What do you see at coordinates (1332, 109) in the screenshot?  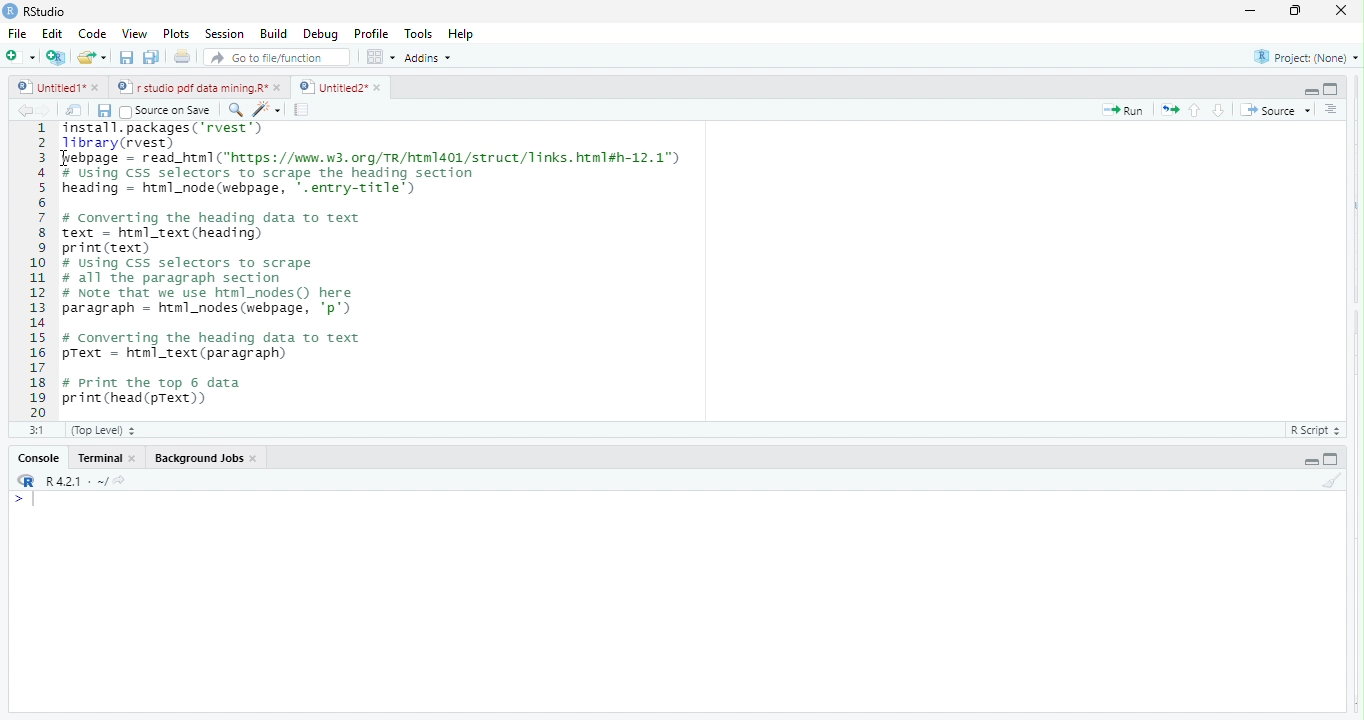 I see `show document outline` at bounding box center [1332, 109].